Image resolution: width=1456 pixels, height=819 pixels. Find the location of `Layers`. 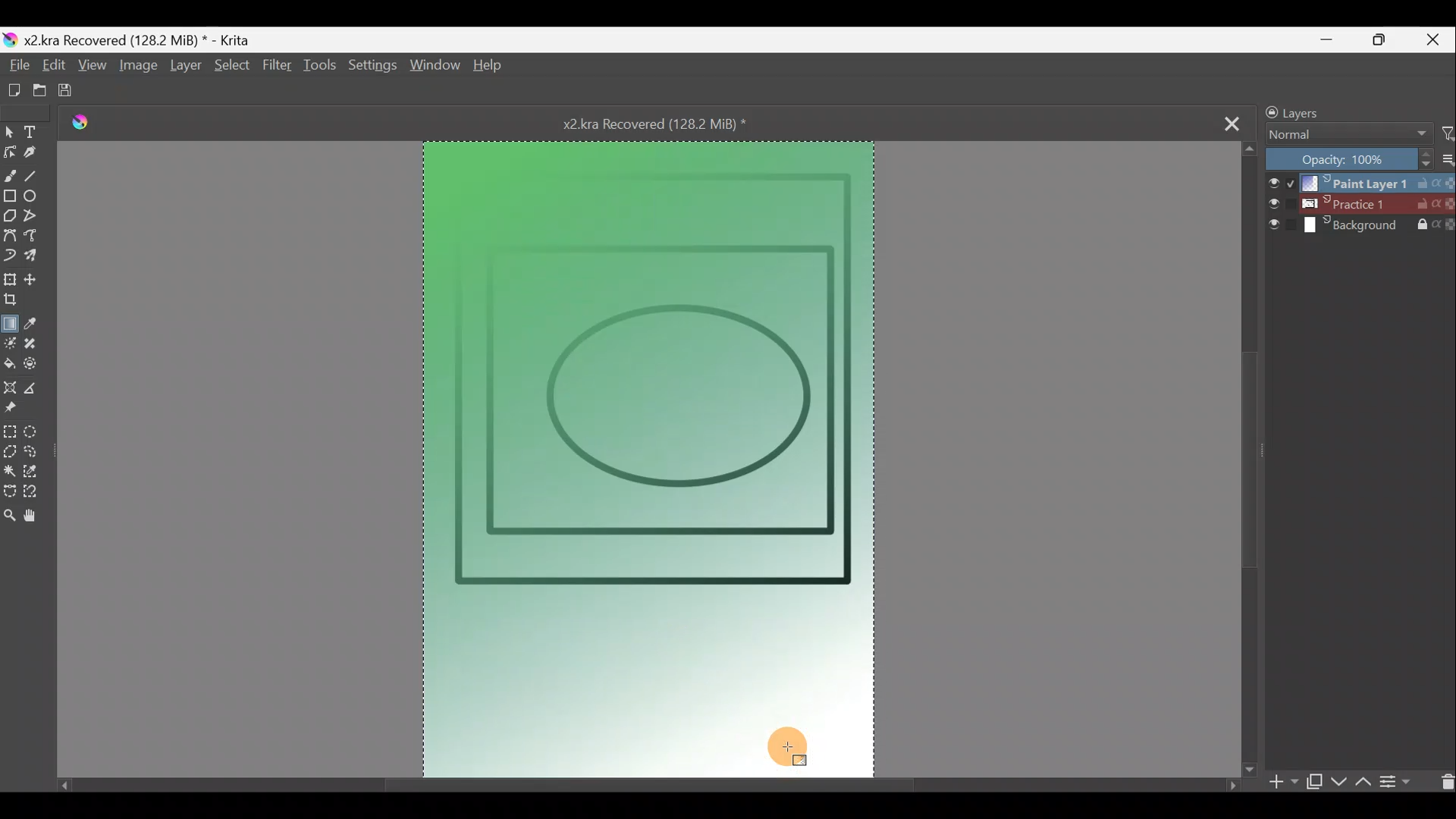

Layers is located at coordinates (1332, 110).